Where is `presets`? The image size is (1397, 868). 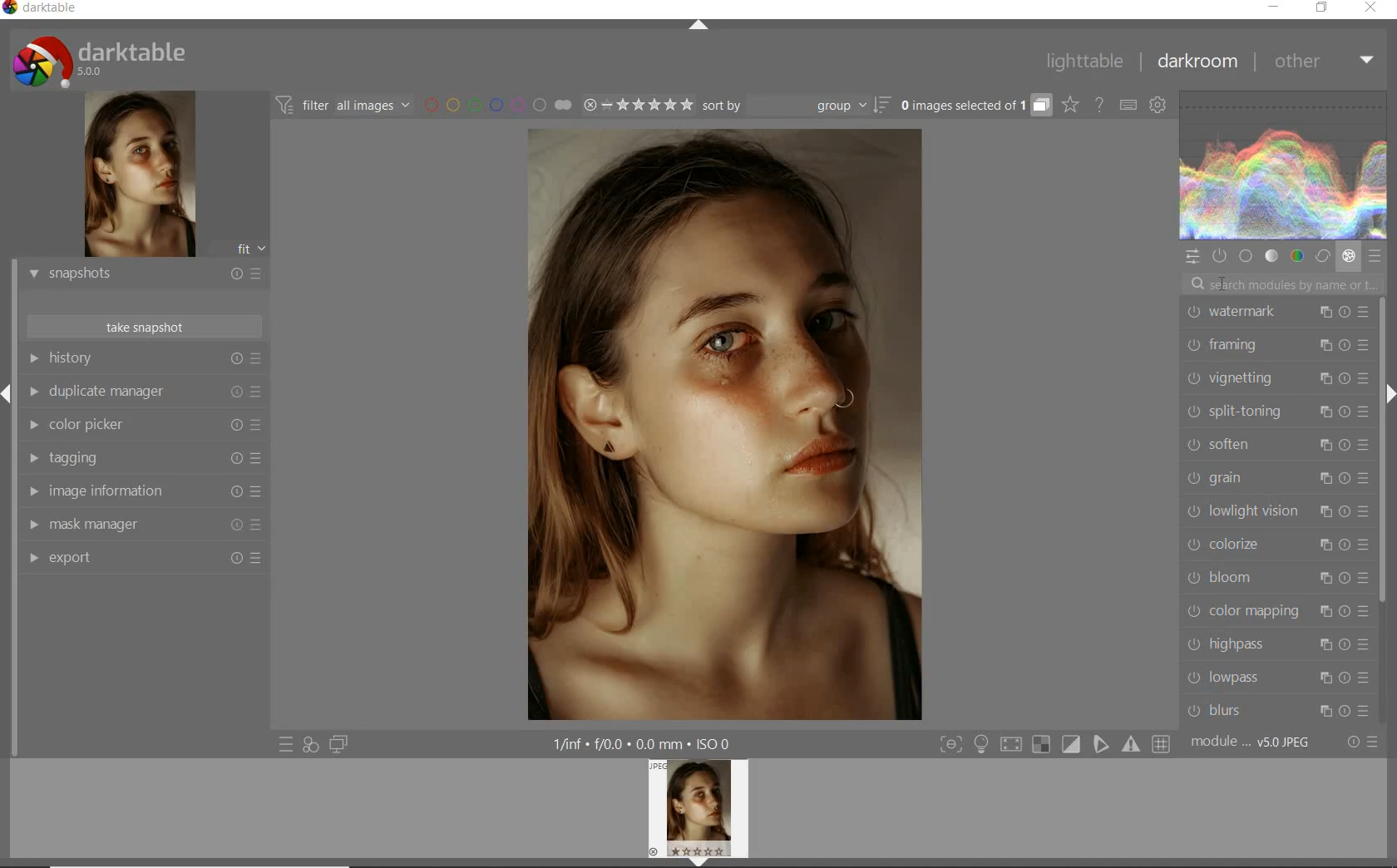
presets is located at coordinates (1375, 256).